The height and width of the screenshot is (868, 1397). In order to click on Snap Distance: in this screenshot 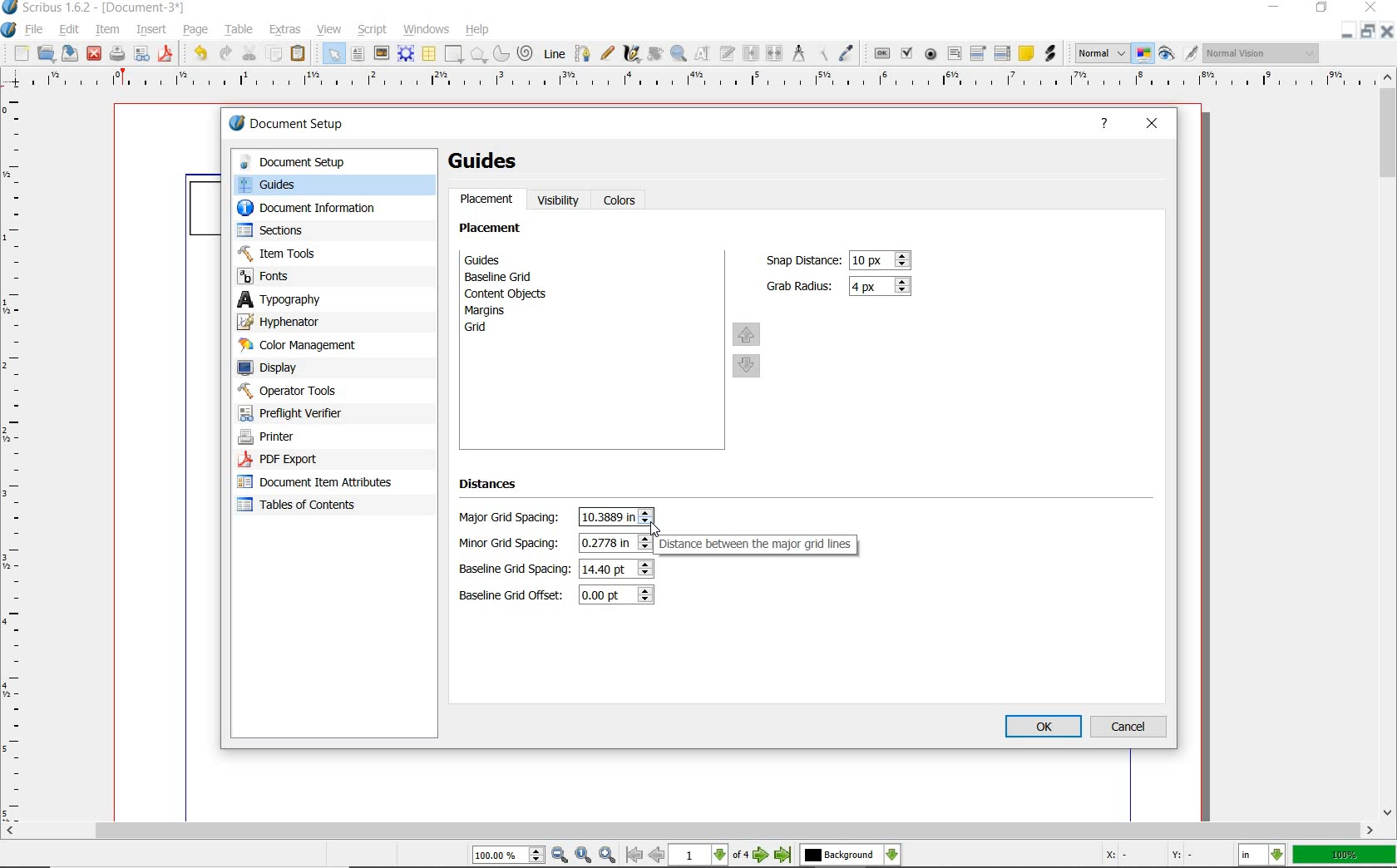, I will do `click(801, 260)`.